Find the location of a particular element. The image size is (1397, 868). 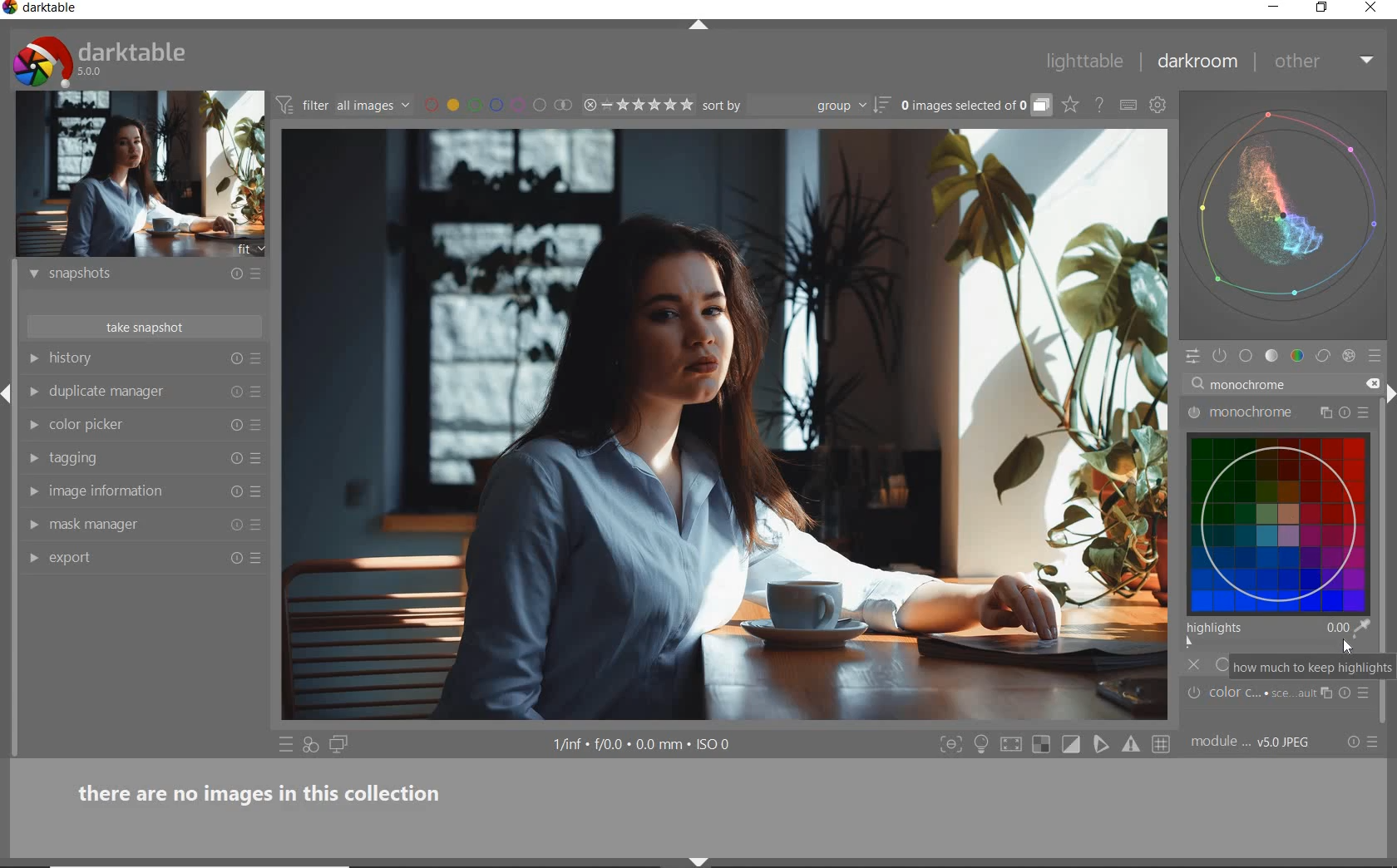

show global preferences is located at coordinates (1158, 107).